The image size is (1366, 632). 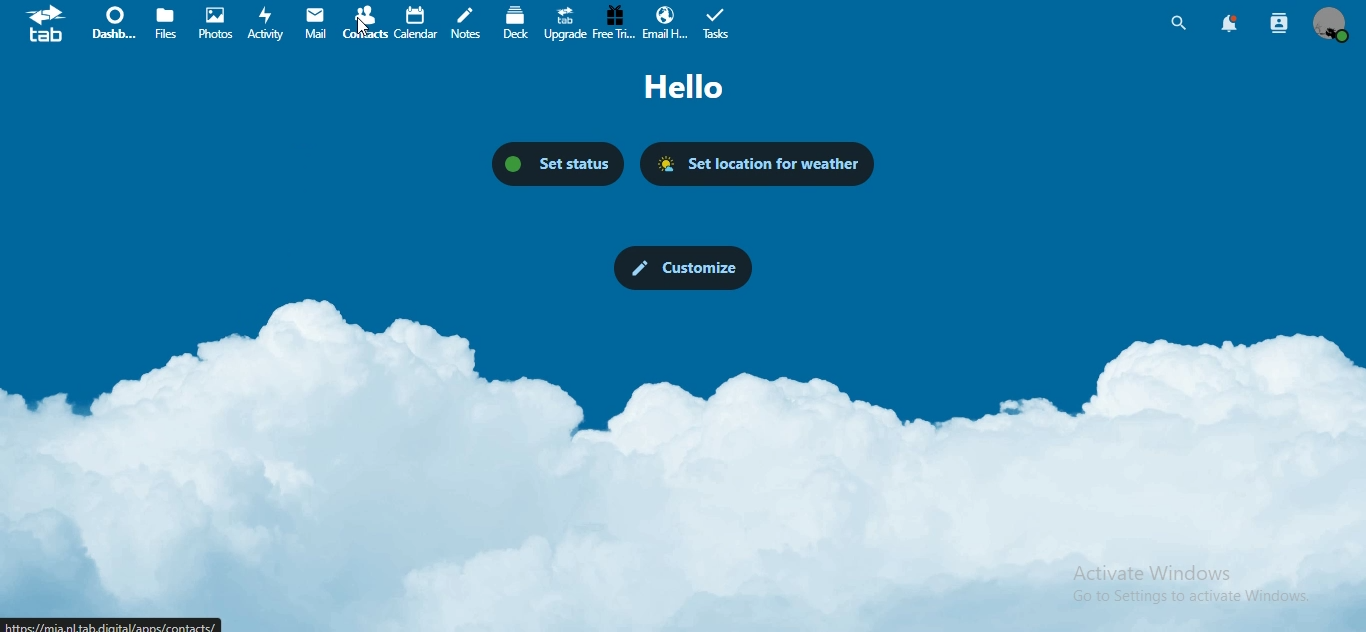 What do you see at coordinates (569, 22) in the screenshot?
I see `upgrade` at bounding box center [569, 22].